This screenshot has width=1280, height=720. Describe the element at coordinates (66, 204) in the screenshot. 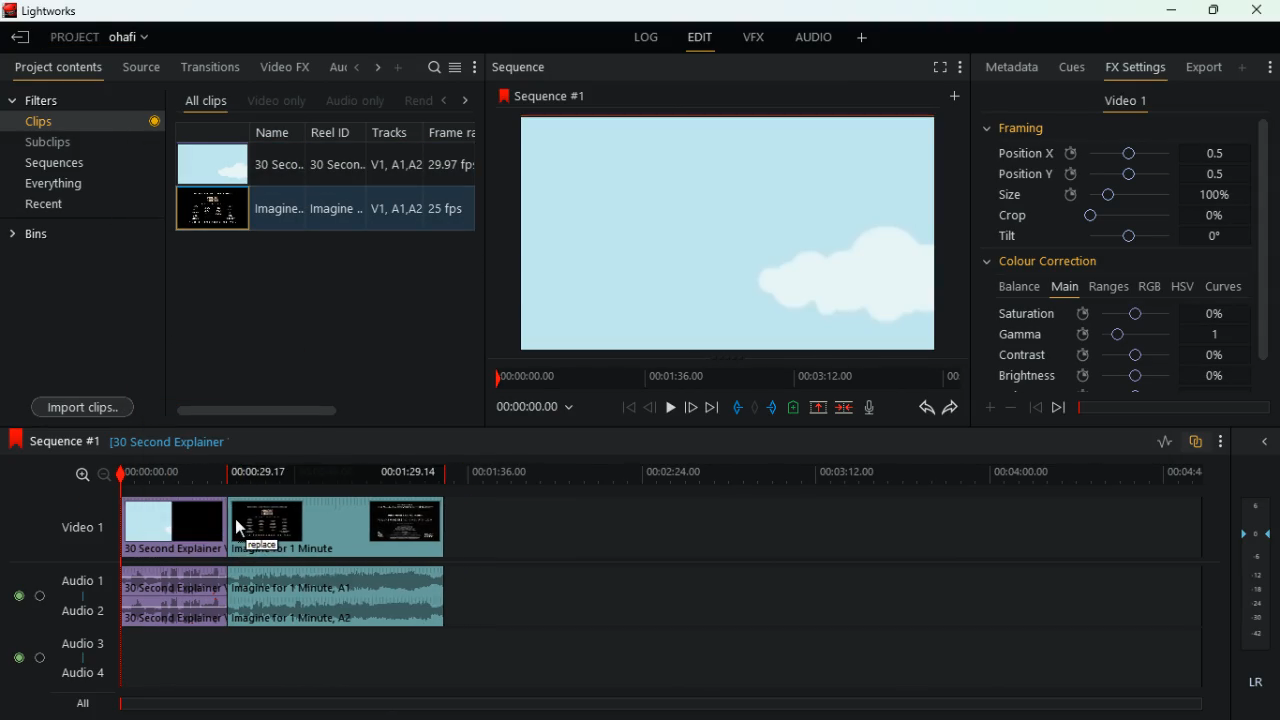

I see `recent` at that location.